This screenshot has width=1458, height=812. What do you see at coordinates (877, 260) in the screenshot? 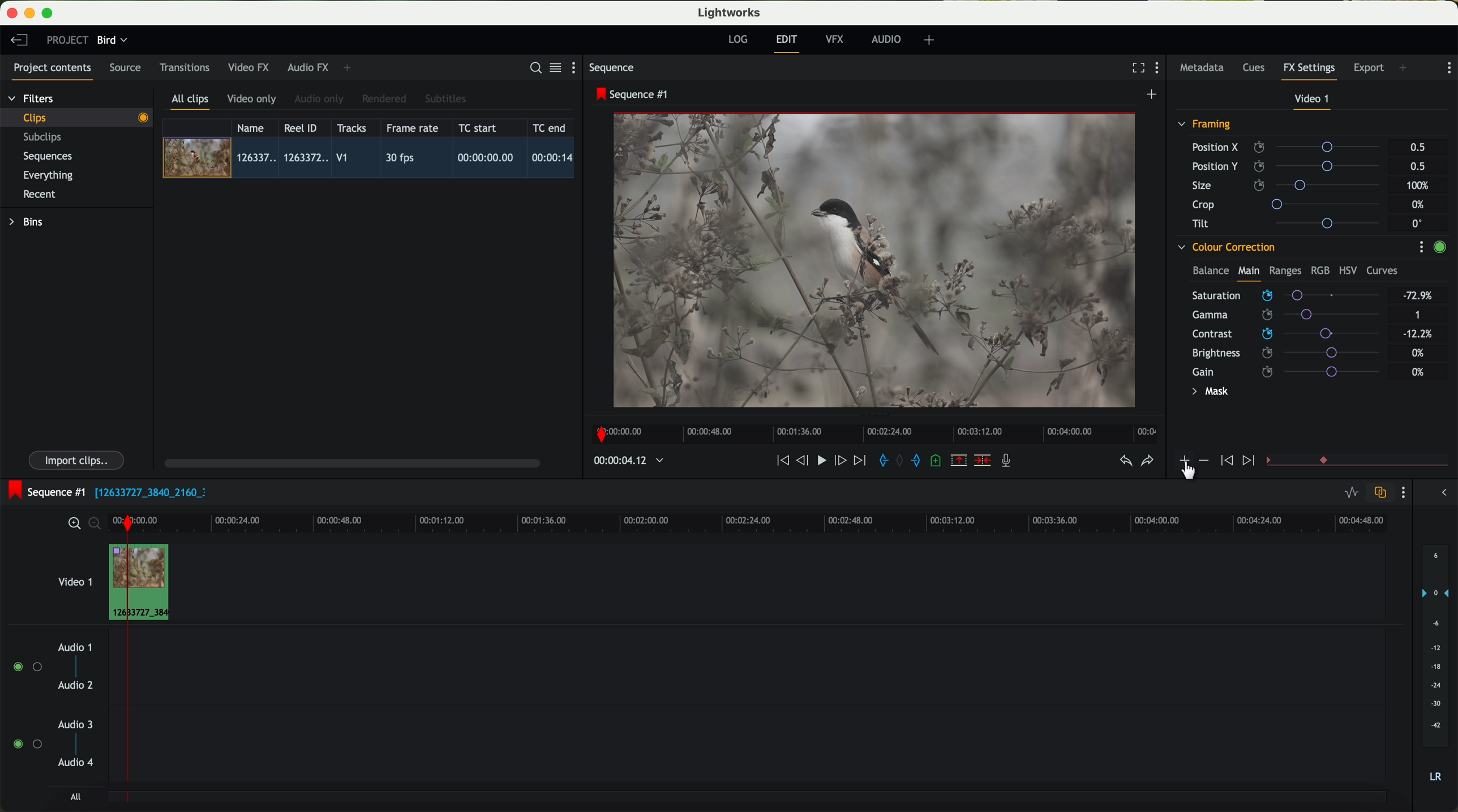
I see `applied effect` at bounding box center [877, 260].